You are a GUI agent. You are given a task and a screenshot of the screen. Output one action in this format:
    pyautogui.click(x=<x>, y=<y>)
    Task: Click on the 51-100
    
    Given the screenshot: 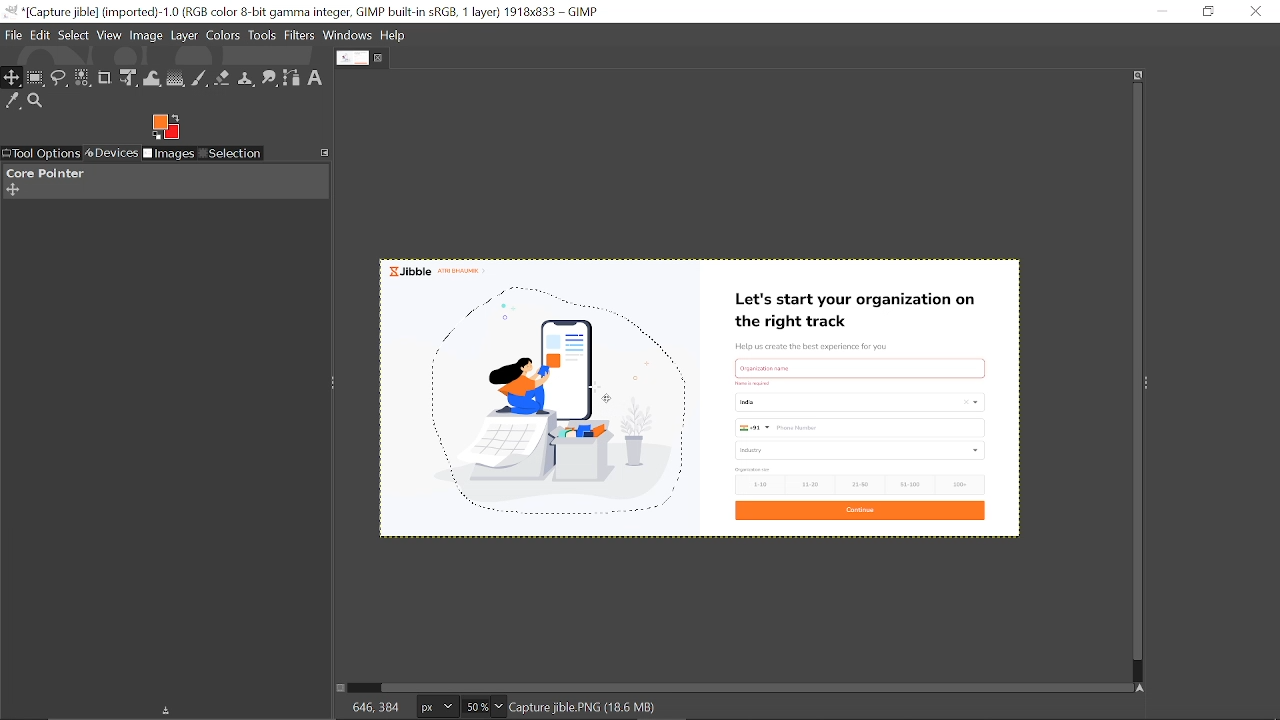 What is the action you would take?
    pyautogui.click(x=909, y=485)
    